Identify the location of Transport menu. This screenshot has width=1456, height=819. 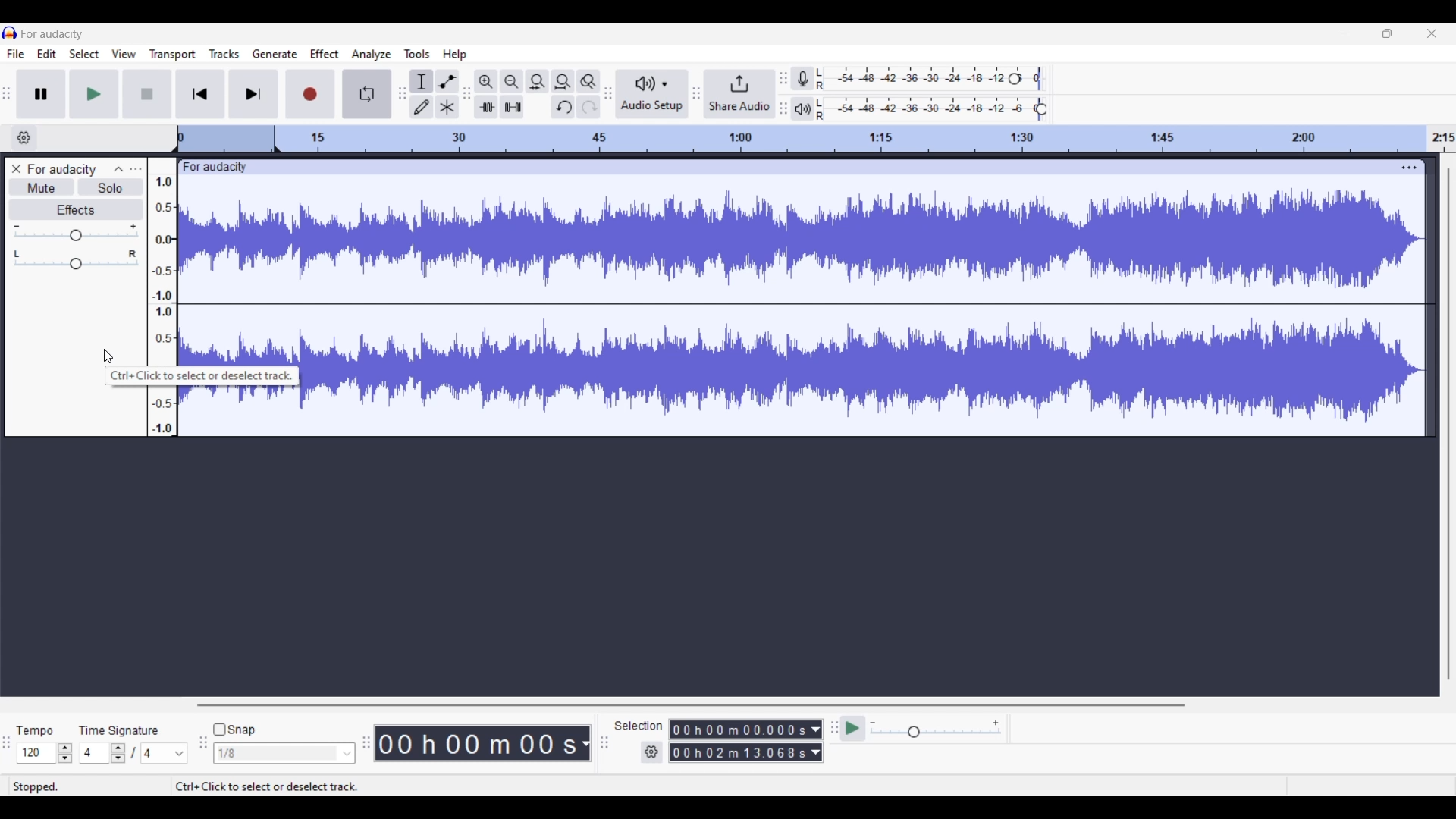
(172, 55).